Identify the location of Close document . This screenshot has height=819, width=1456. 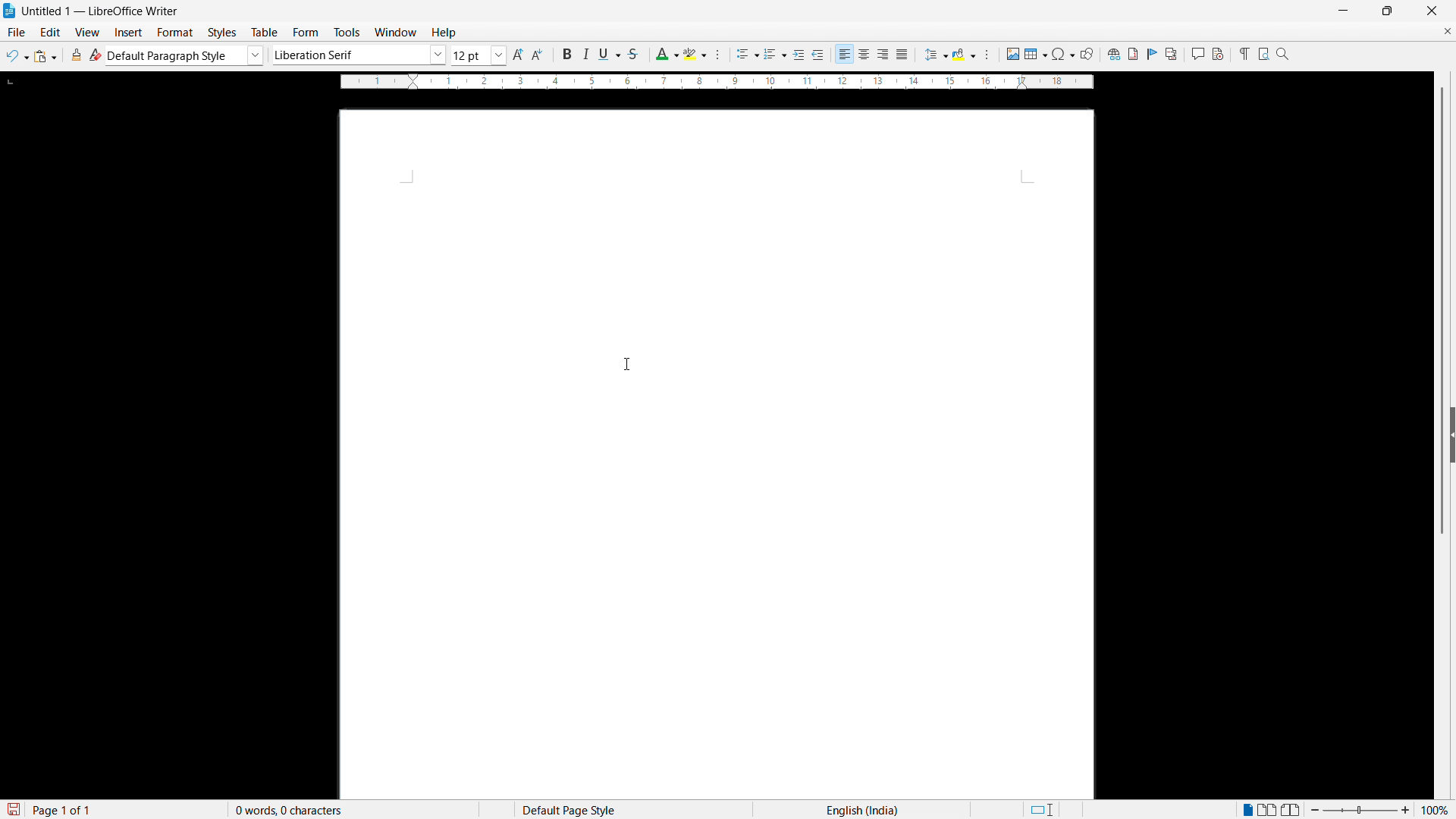
(1447, 30).